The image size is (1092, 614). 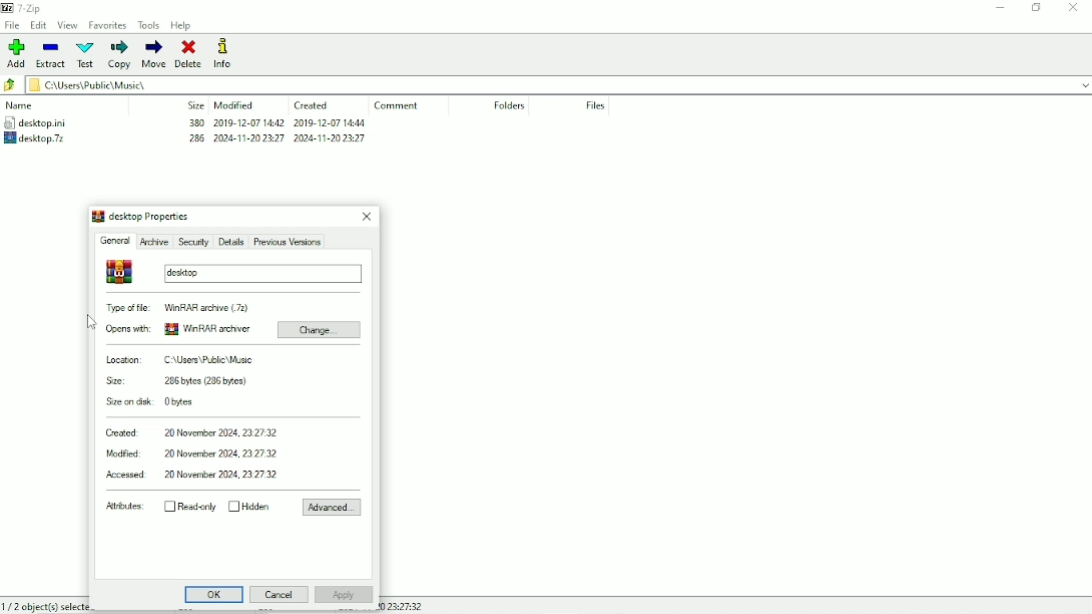 I want to click on OK, so click(x=215, y=595).